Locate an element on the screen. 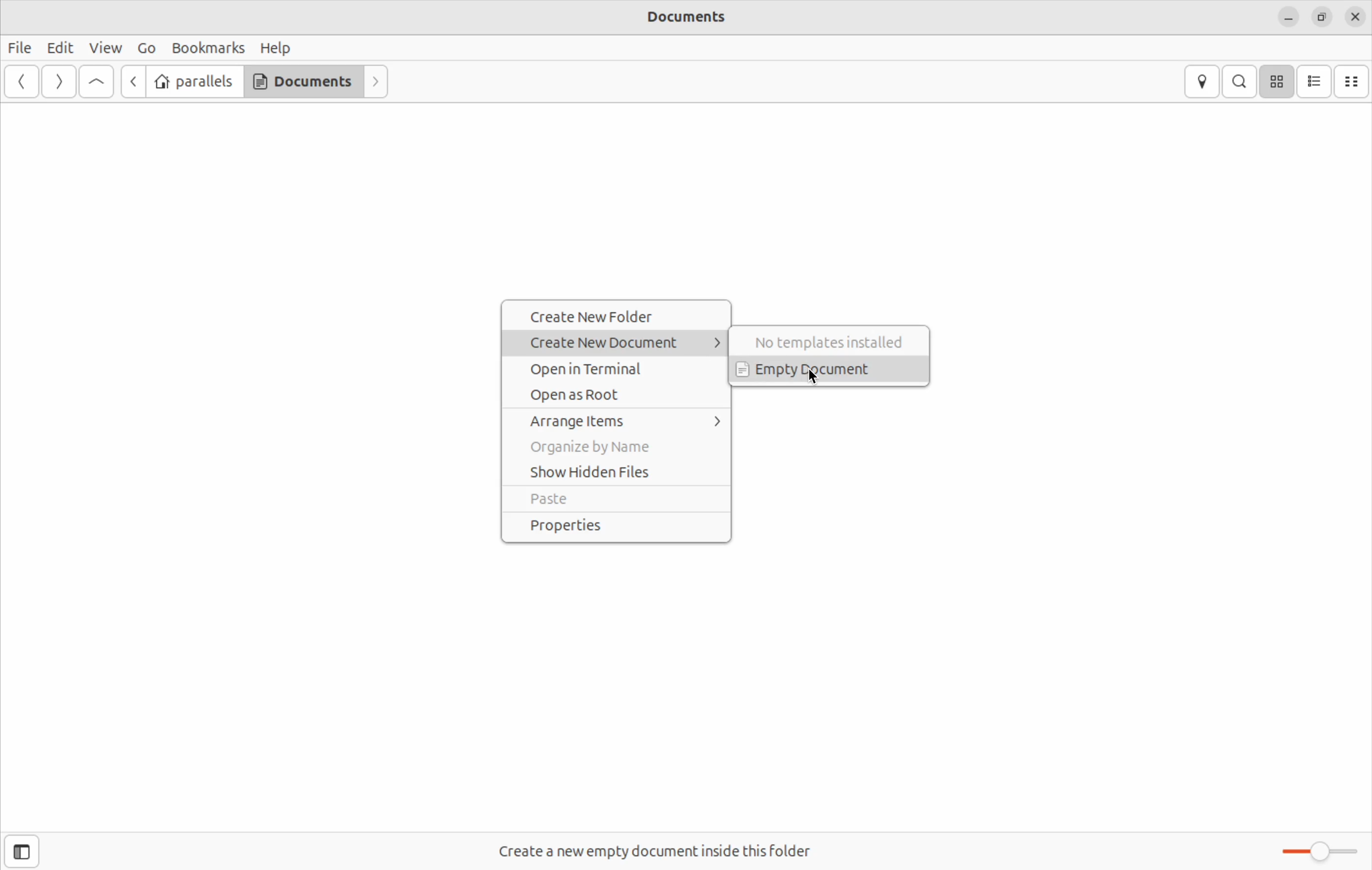 The image size is (1372, 870). cursor is located at coordinates (812, 381).